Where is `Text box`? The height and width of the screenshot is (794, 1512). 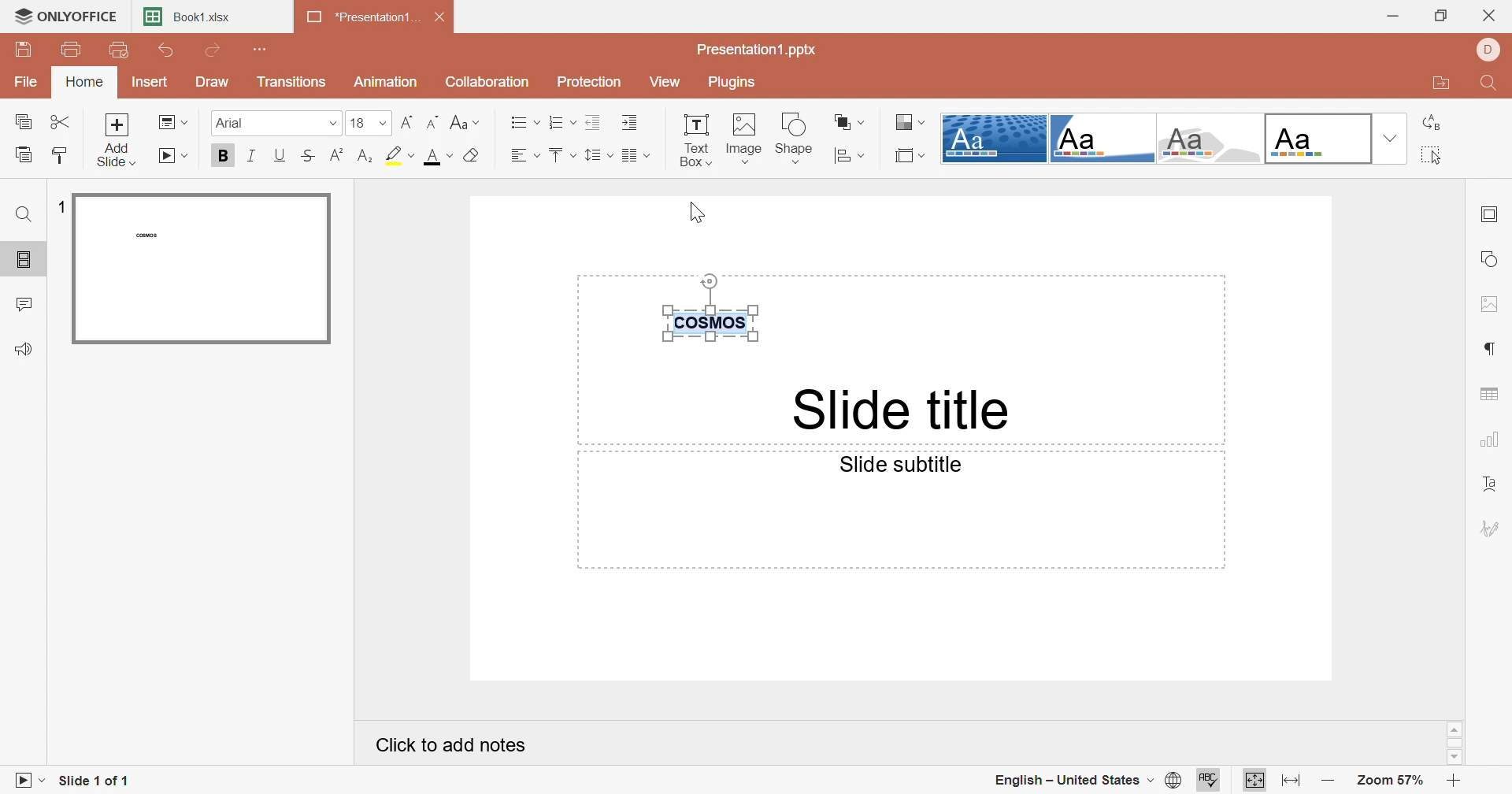 Text box is located at coordinates (695, 139).